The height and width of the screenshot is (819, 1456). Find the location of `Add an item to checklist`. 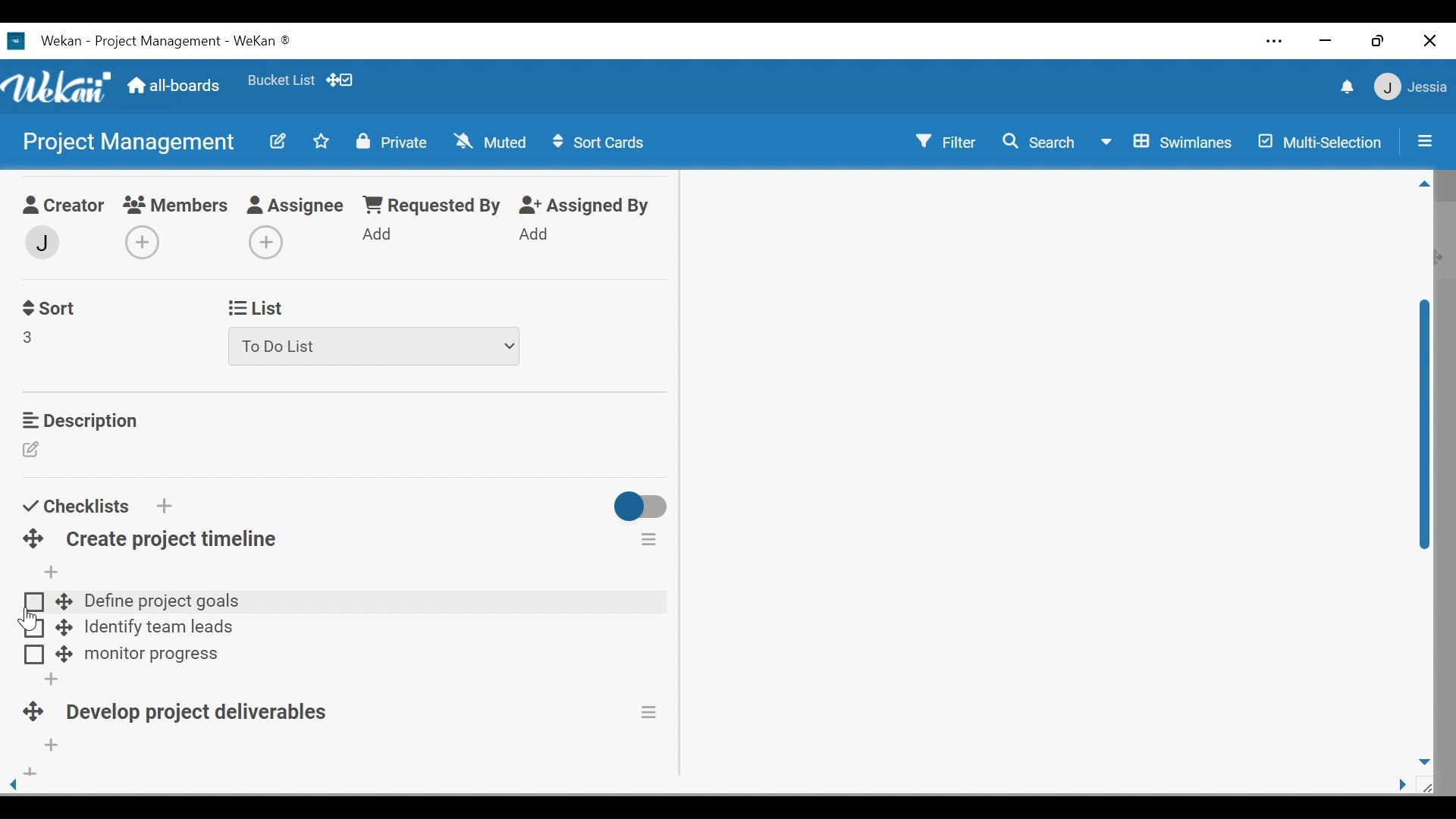

Add an item to checklist is located at coordinates (49, 573).